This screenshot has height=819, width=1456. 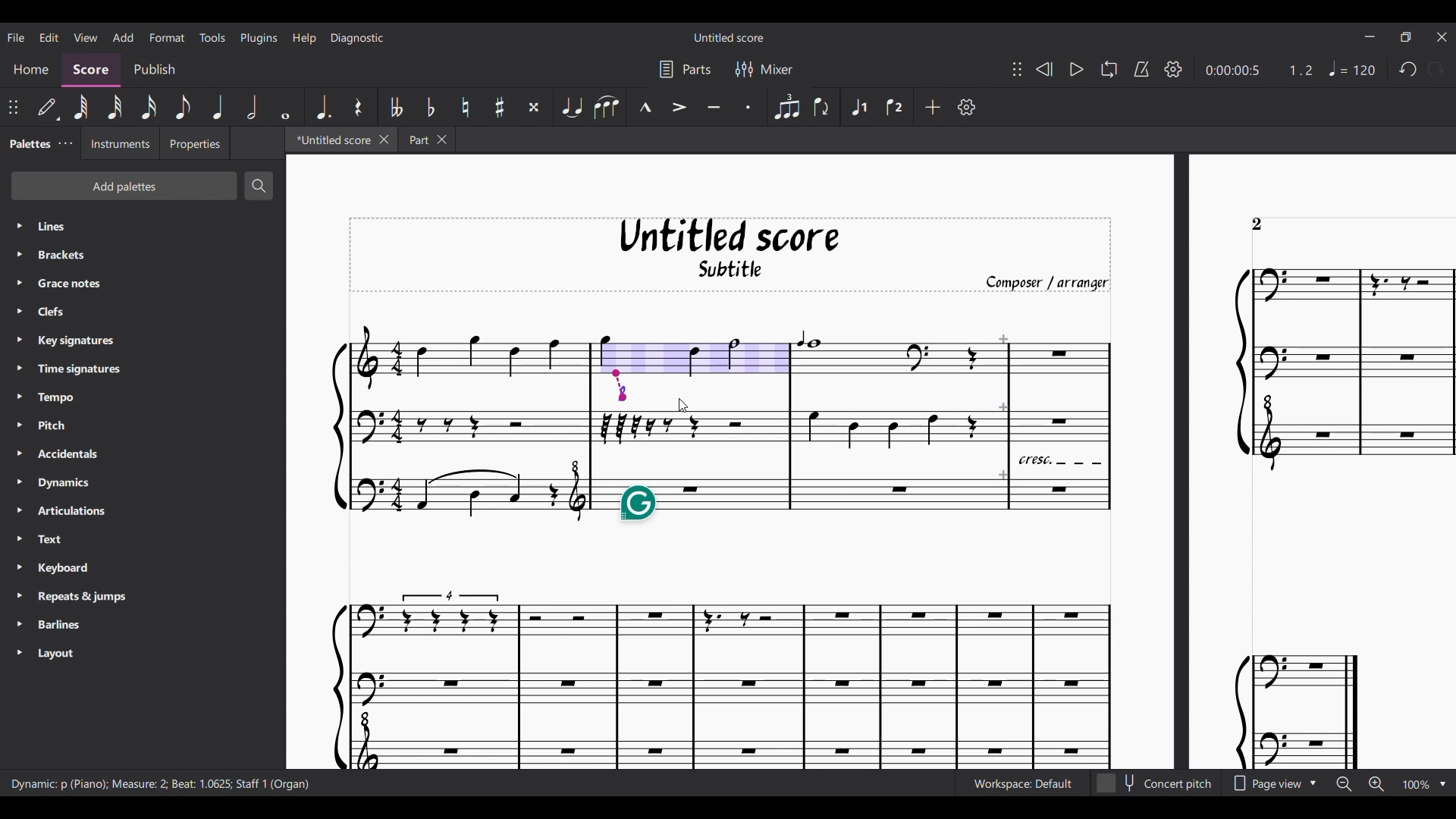 I want to click on Page count , so click(x=1257, y=224).